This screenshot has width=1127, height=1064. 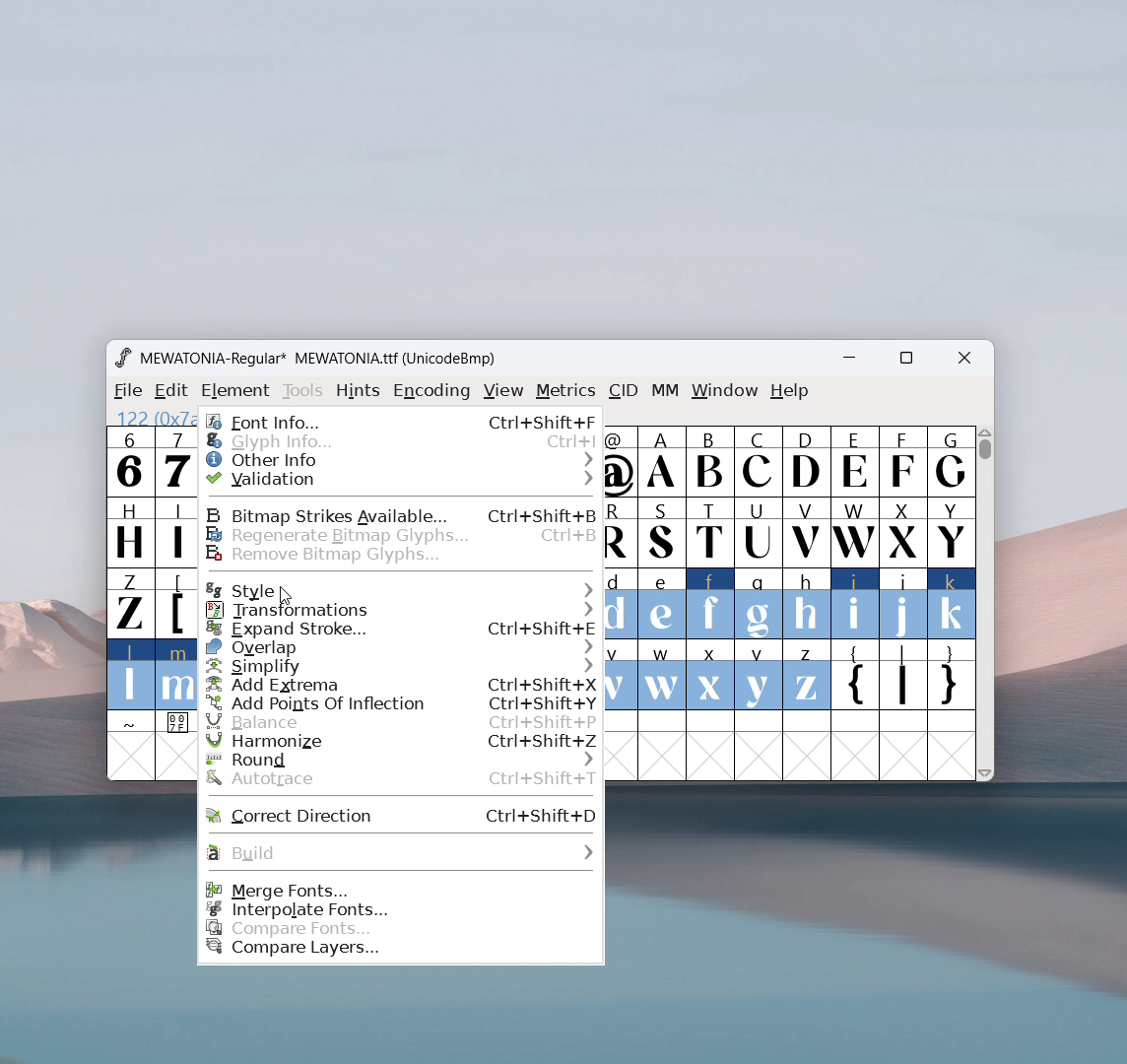 I want to click on add points of inflection, so click(x=402, y=703).